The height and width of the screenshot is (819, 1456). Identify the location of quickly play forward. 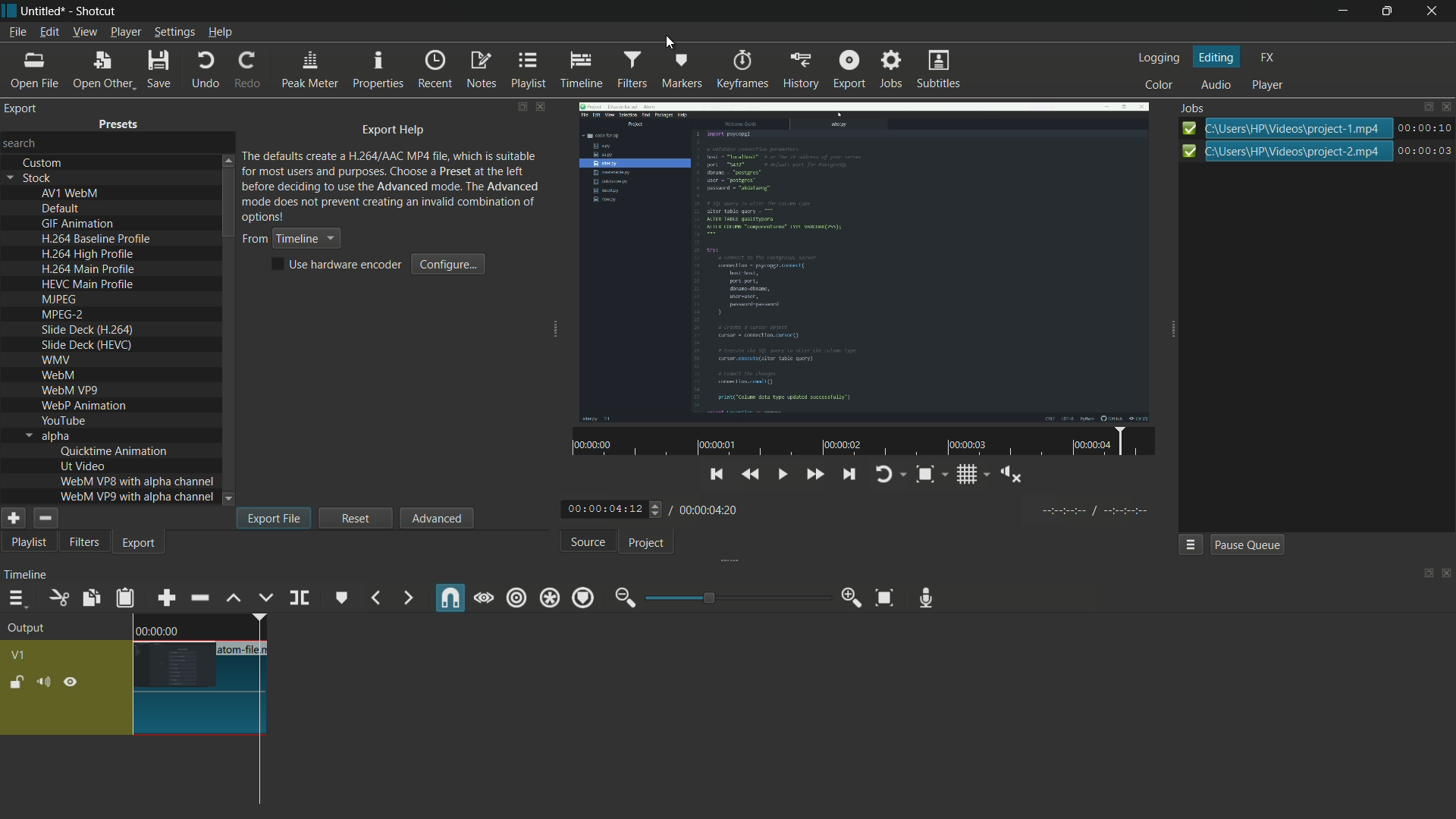
(981, 511).